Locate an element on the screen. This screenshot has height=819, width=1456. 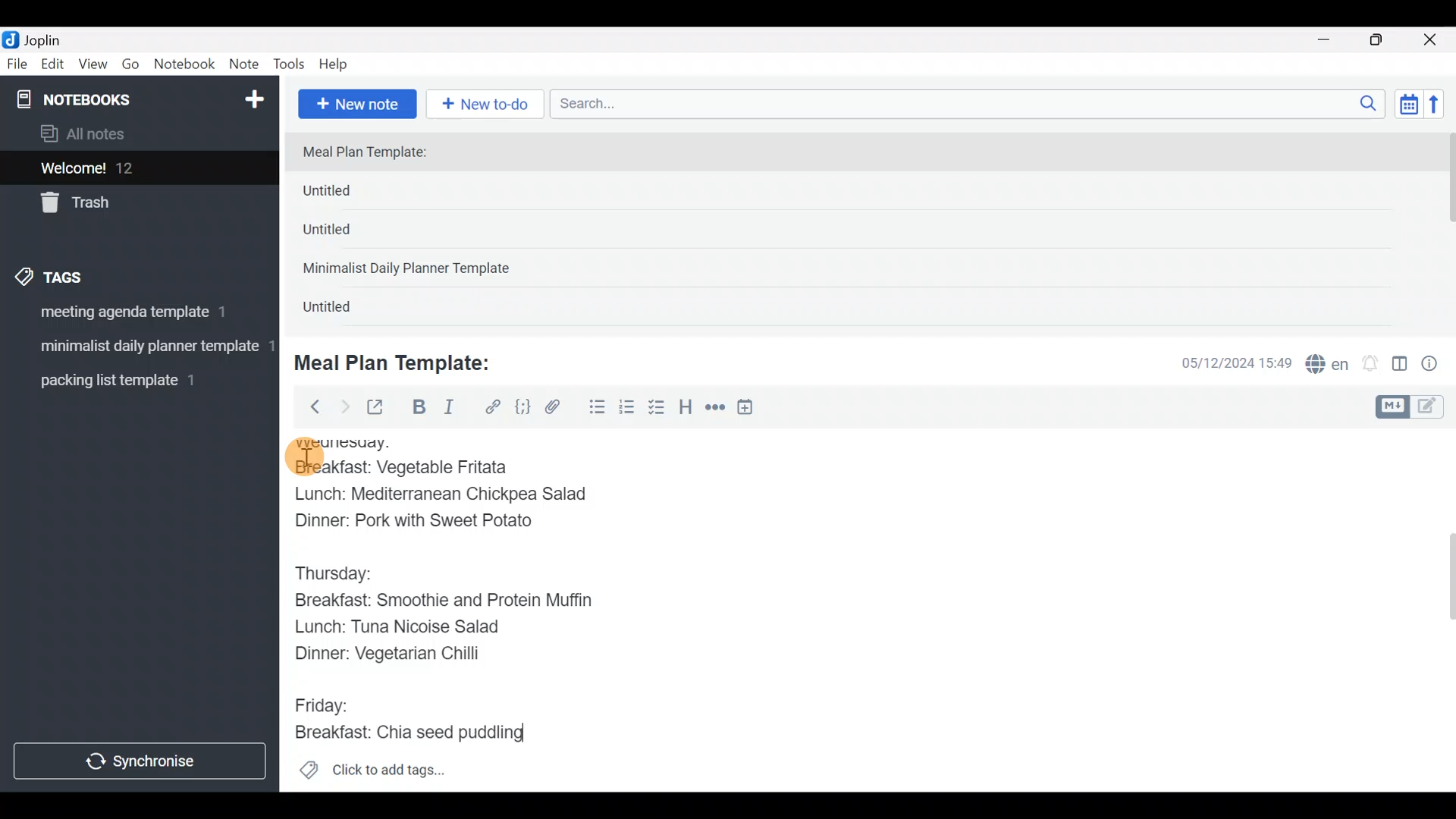
Checkbox is located at coordinates (658, 409).